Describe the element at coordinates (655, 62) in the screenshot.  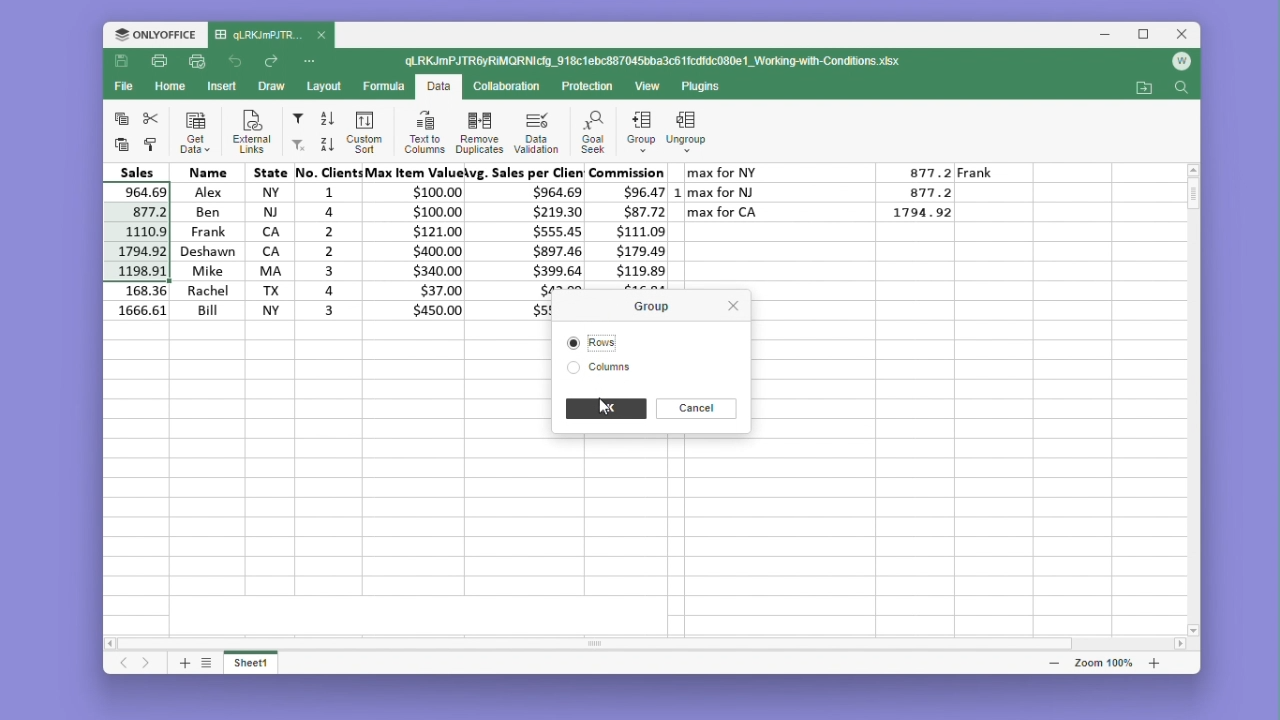
I see `File name` at that location.